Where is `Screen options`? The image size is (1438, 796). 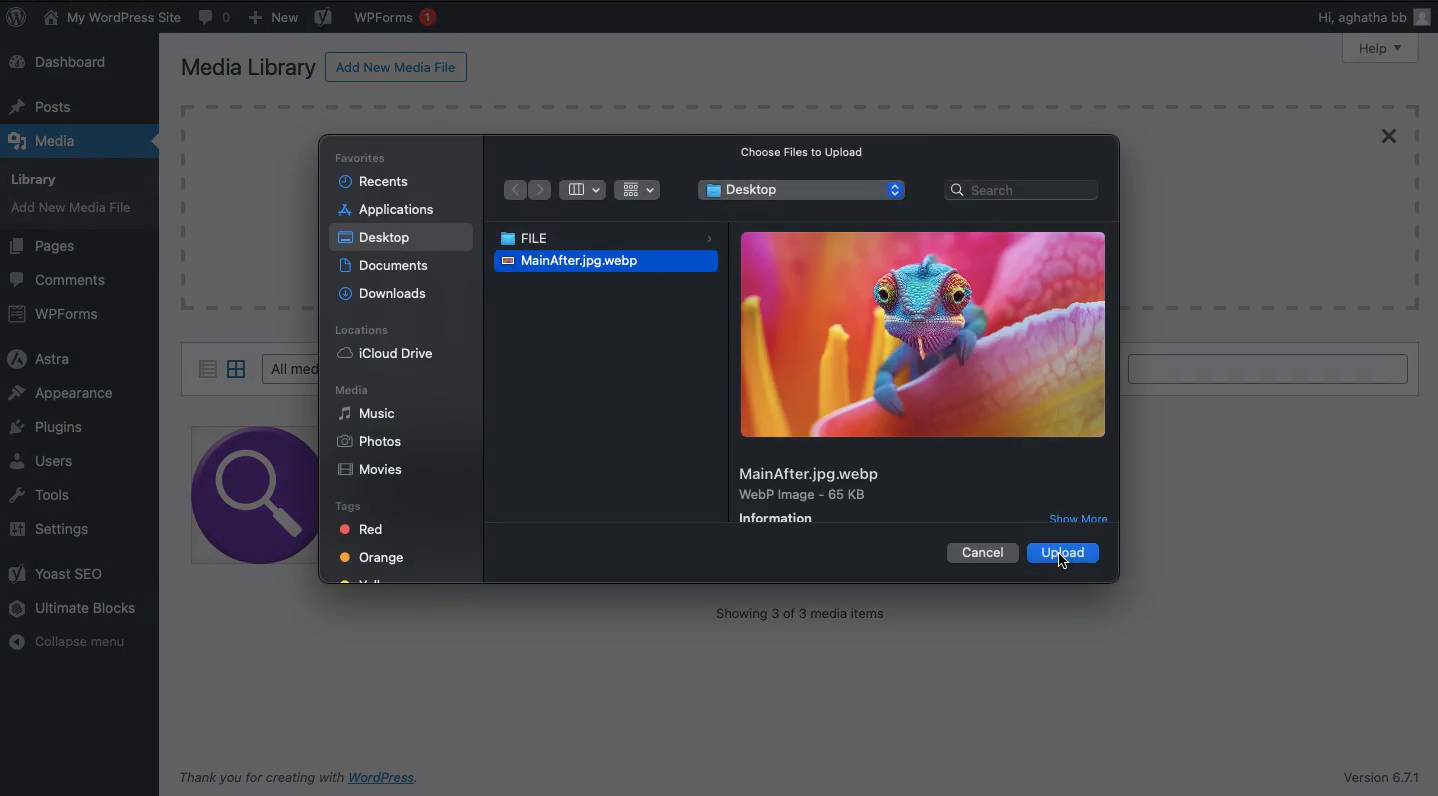
Screen options is located at coordinates (1265, 49).